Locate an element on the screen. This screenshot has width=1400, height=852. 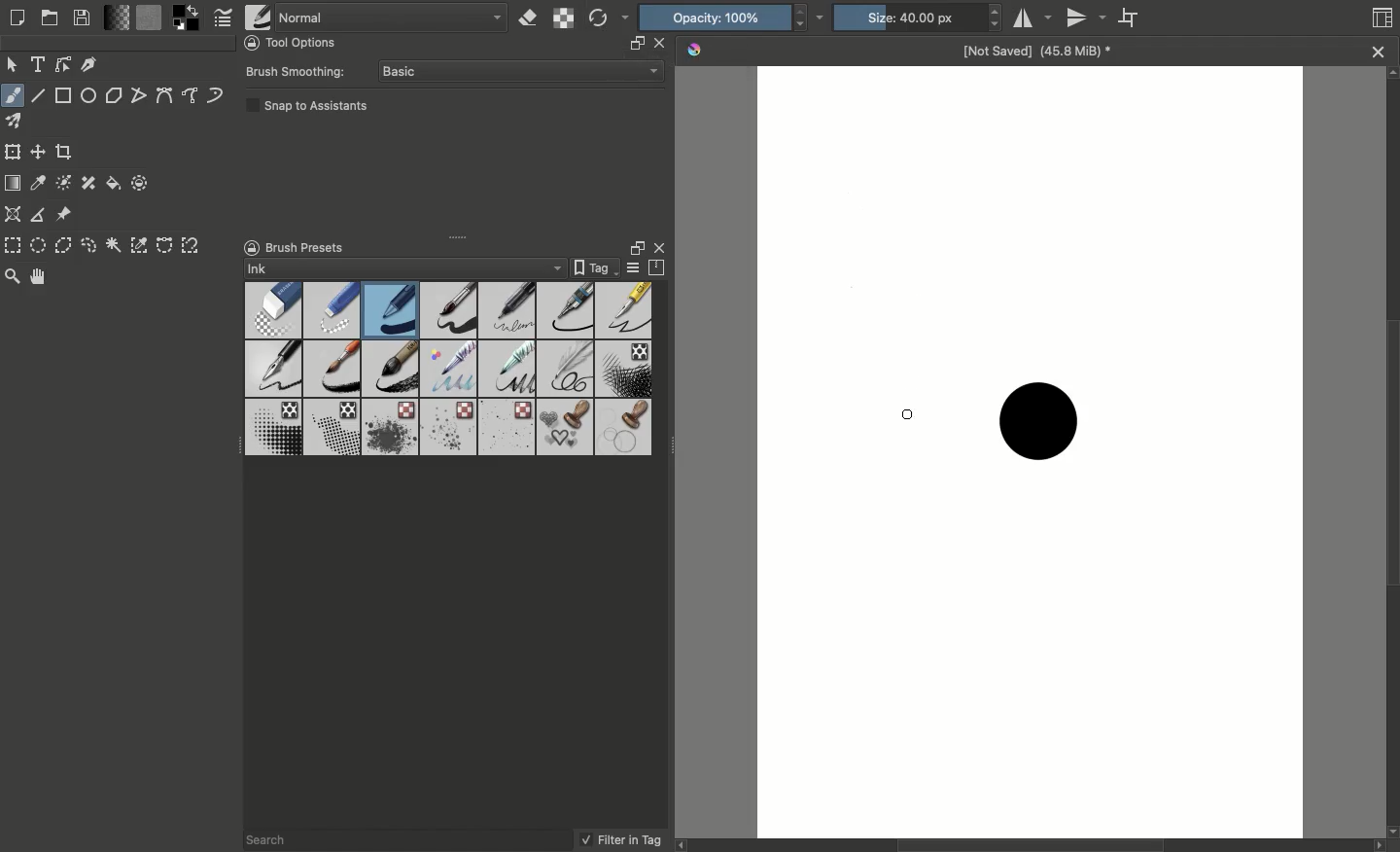
Freeform brush is located at coordinates (13, 92).